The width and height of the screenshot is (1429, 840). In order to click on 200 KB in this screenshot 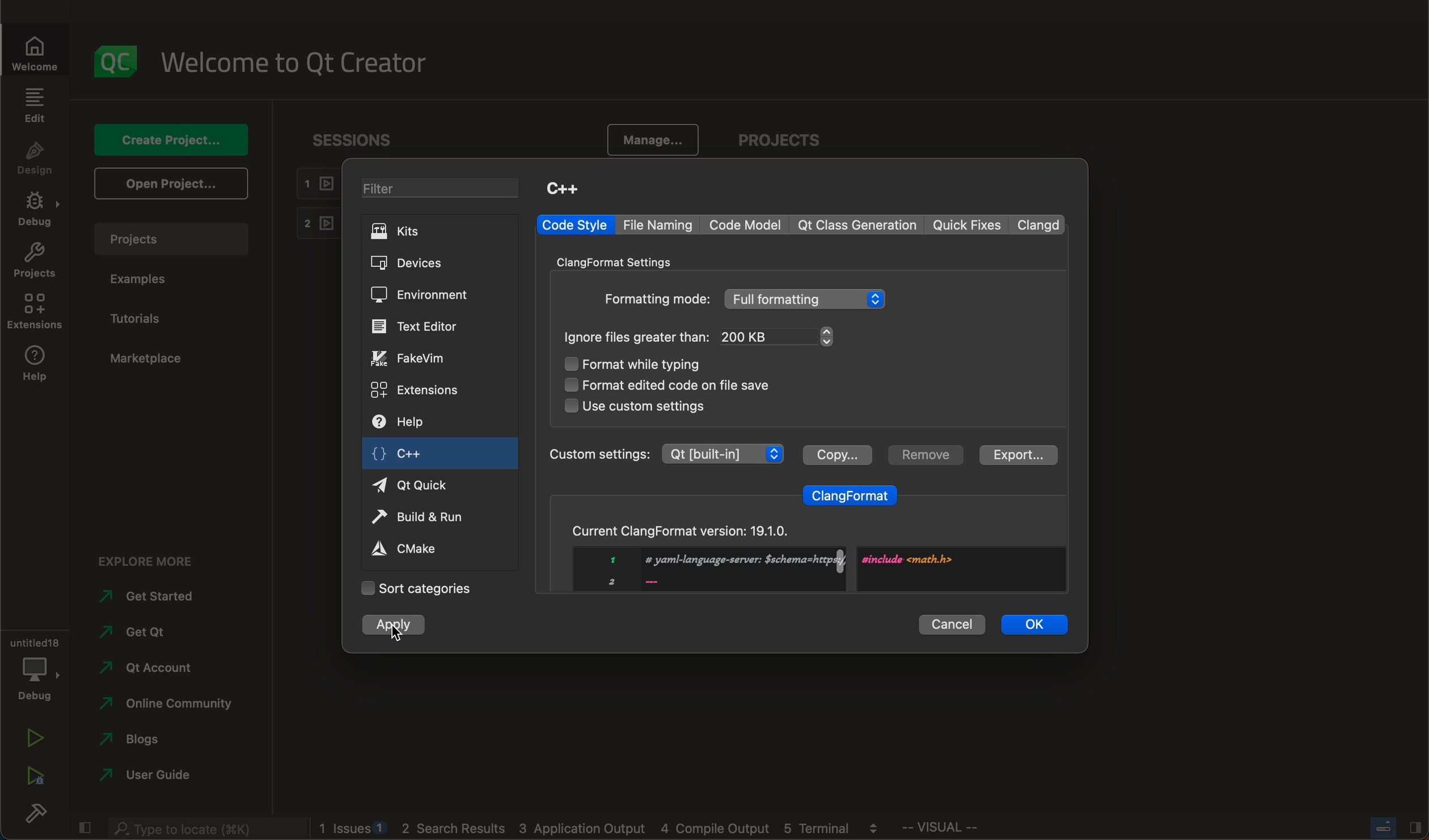, I will do `click(778, 336)`.